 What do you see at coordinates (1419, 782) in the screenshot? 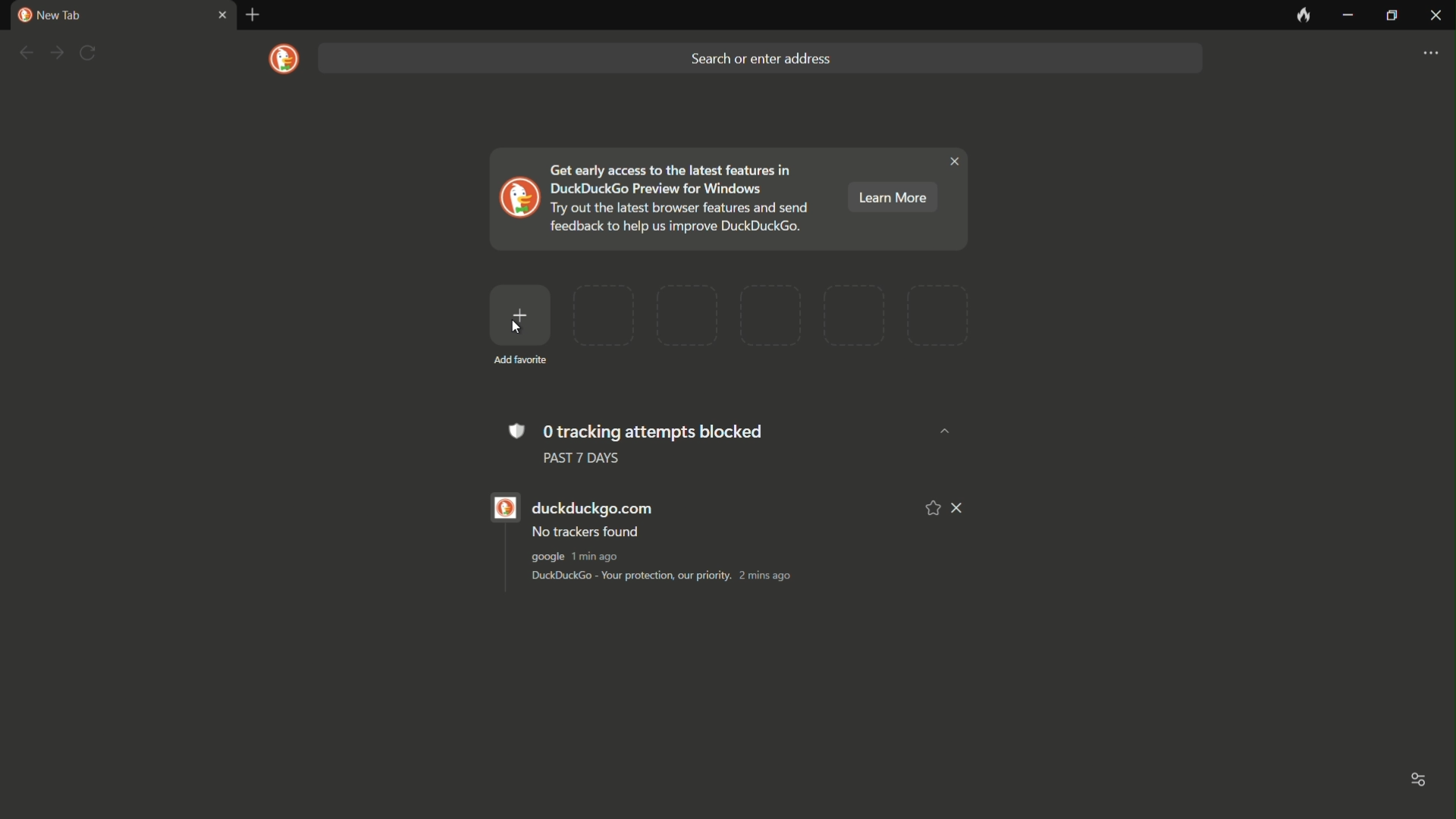
I see `toggle options` at bounding box center [1419, 782].